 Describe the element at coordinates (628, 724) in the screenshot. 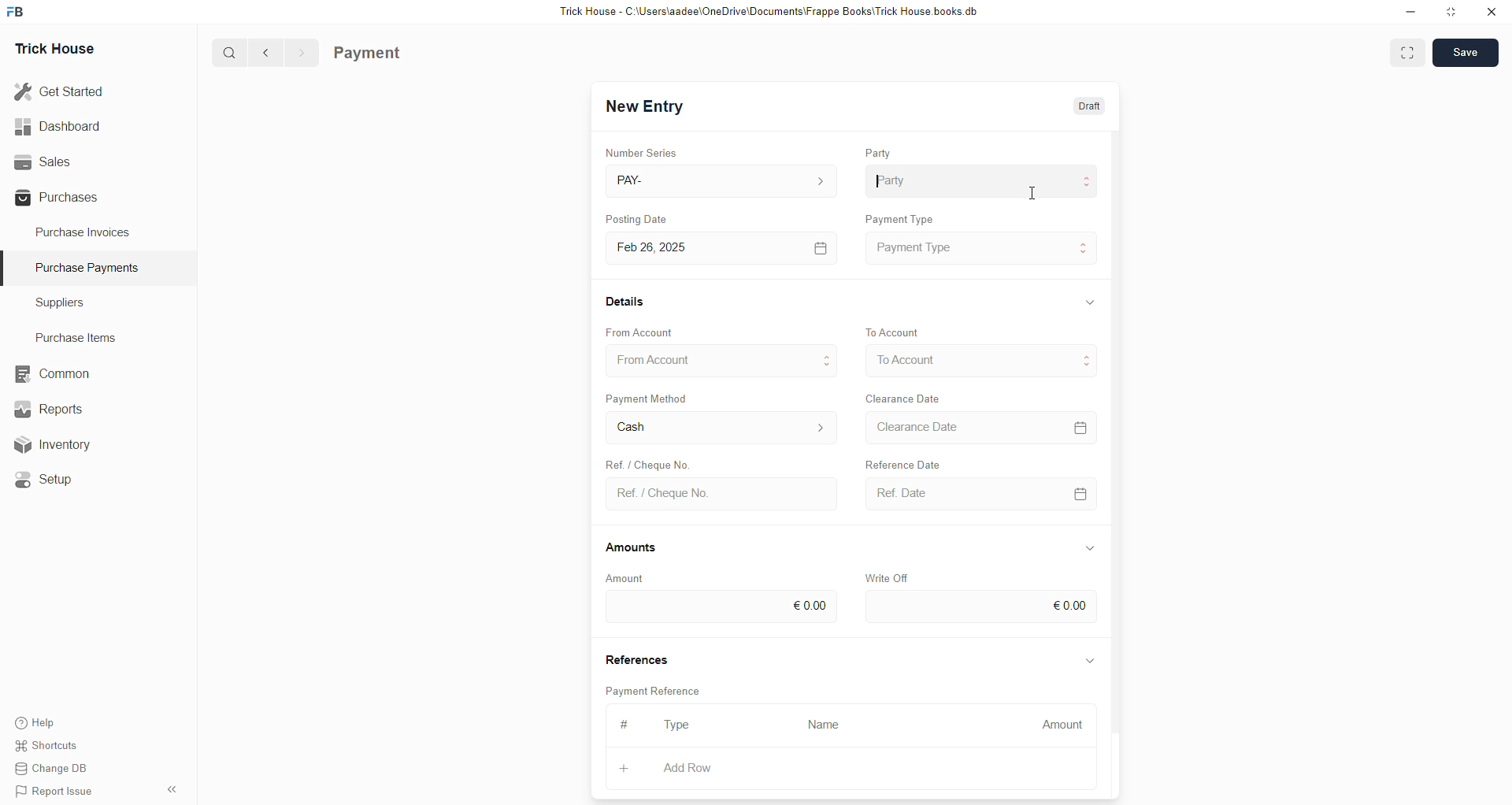

I see `#` at that location.